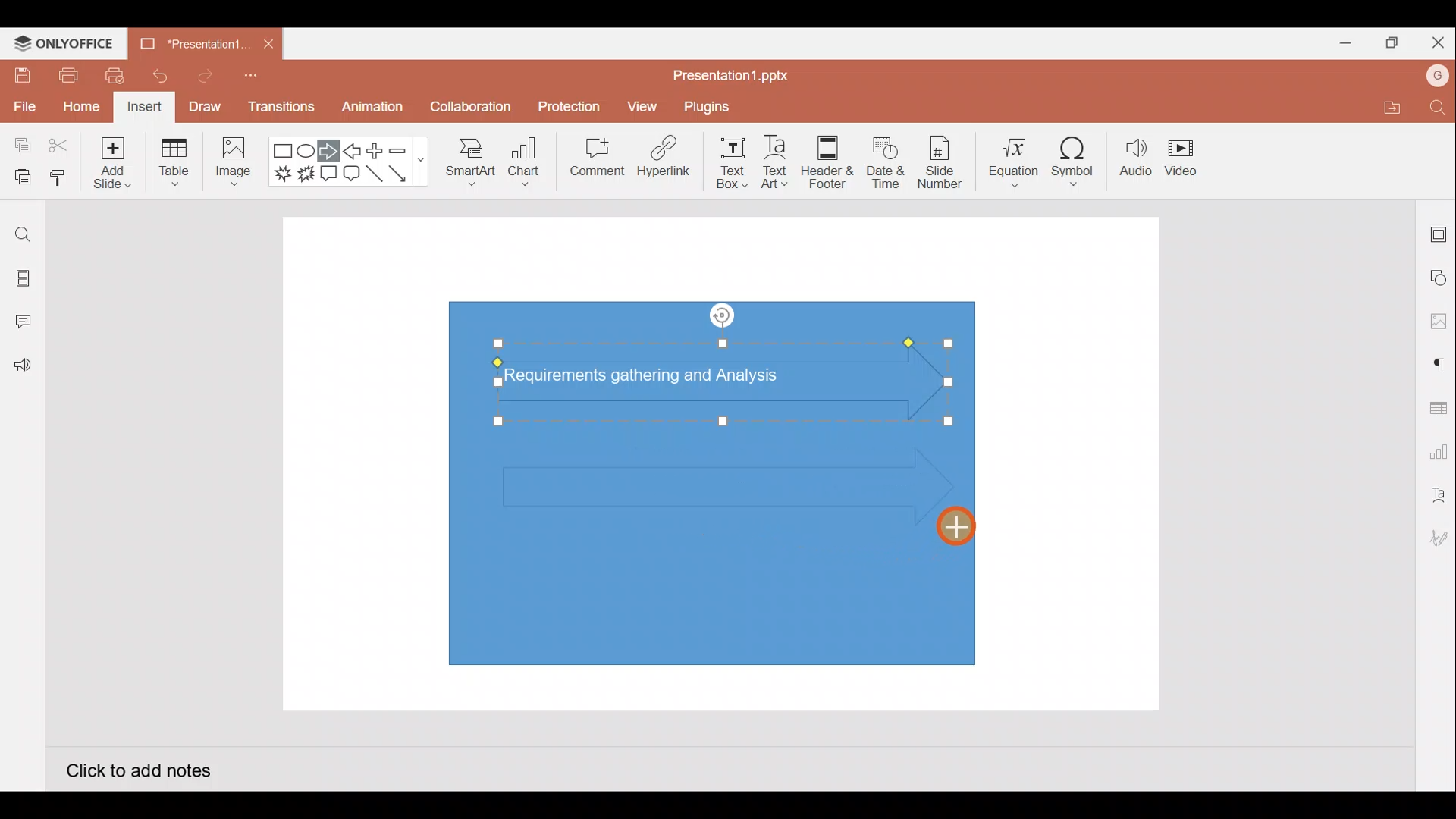 This screenshot has width=1456, height=819. Describe the element at coordinates (21, 281) in the screenshot. I see `Slides` at that location.